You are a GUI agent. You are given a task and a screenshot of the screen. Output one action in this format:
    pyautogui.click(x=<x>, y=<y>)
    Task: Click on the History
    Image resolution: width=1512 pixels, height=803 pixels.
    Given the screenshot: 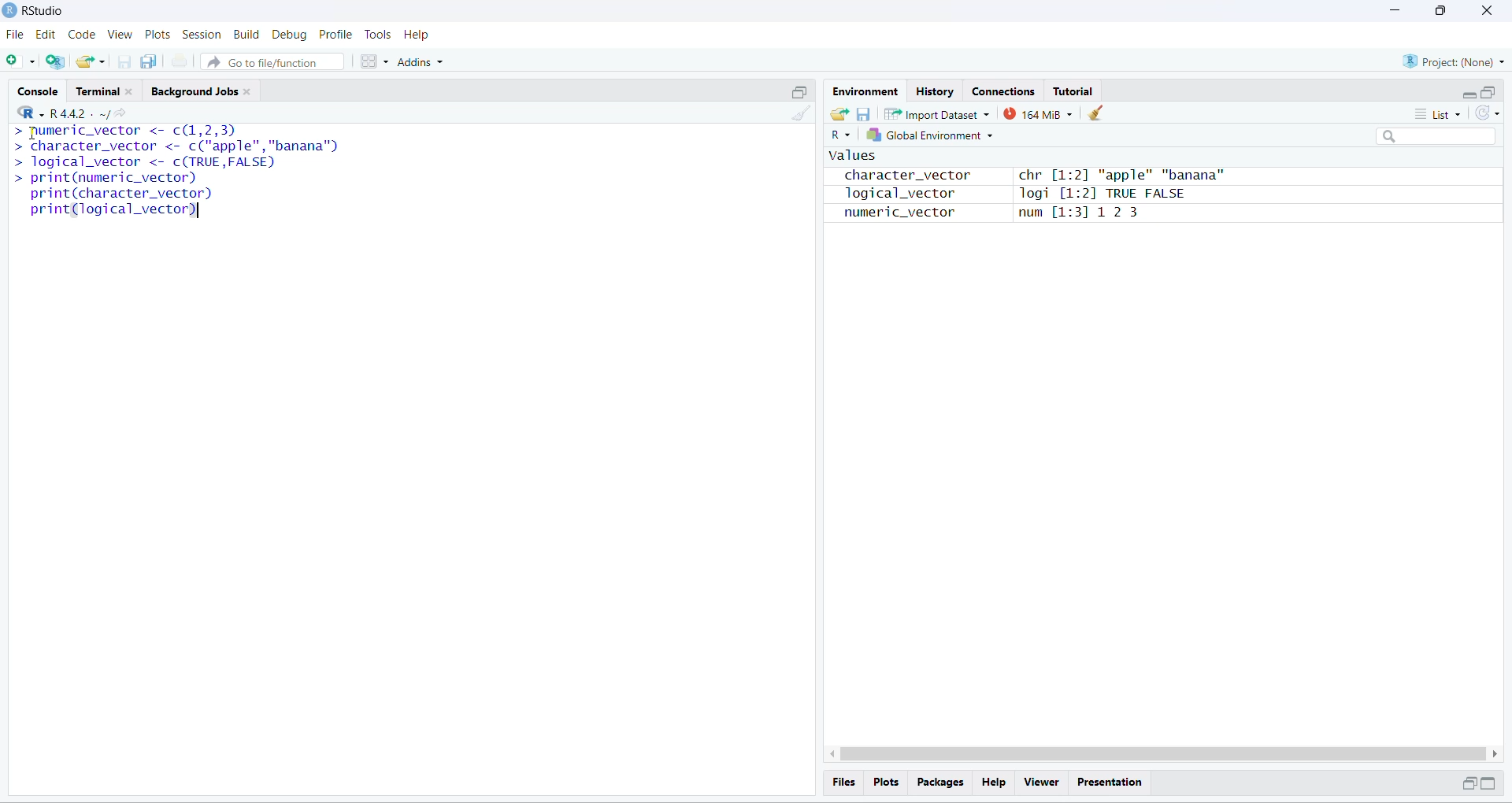 What is the action you would take?
    pyautogui.click(x=935, y=90)
    